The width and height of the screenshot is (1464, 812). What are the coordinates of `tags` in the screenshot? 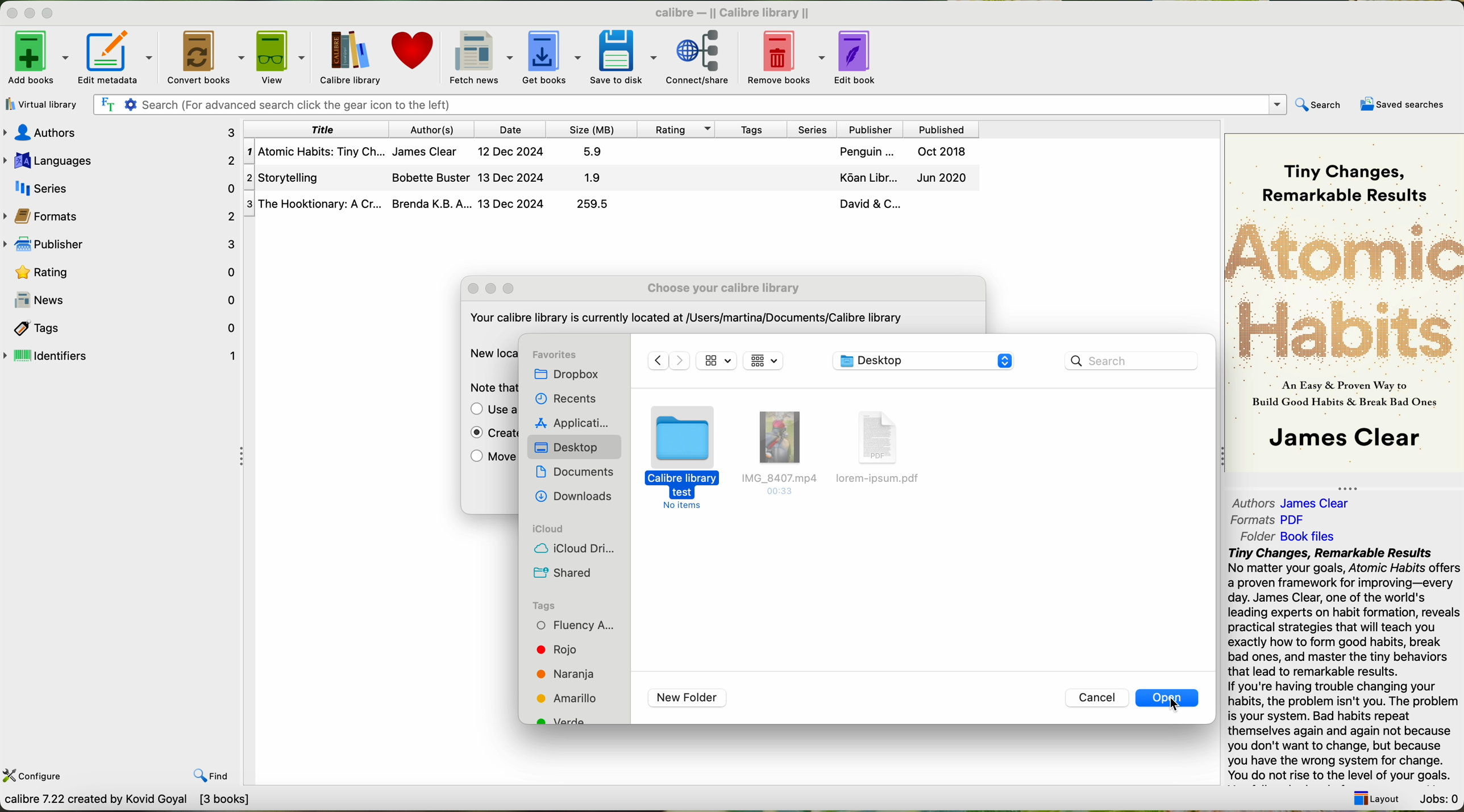 It's located at (544, 605).